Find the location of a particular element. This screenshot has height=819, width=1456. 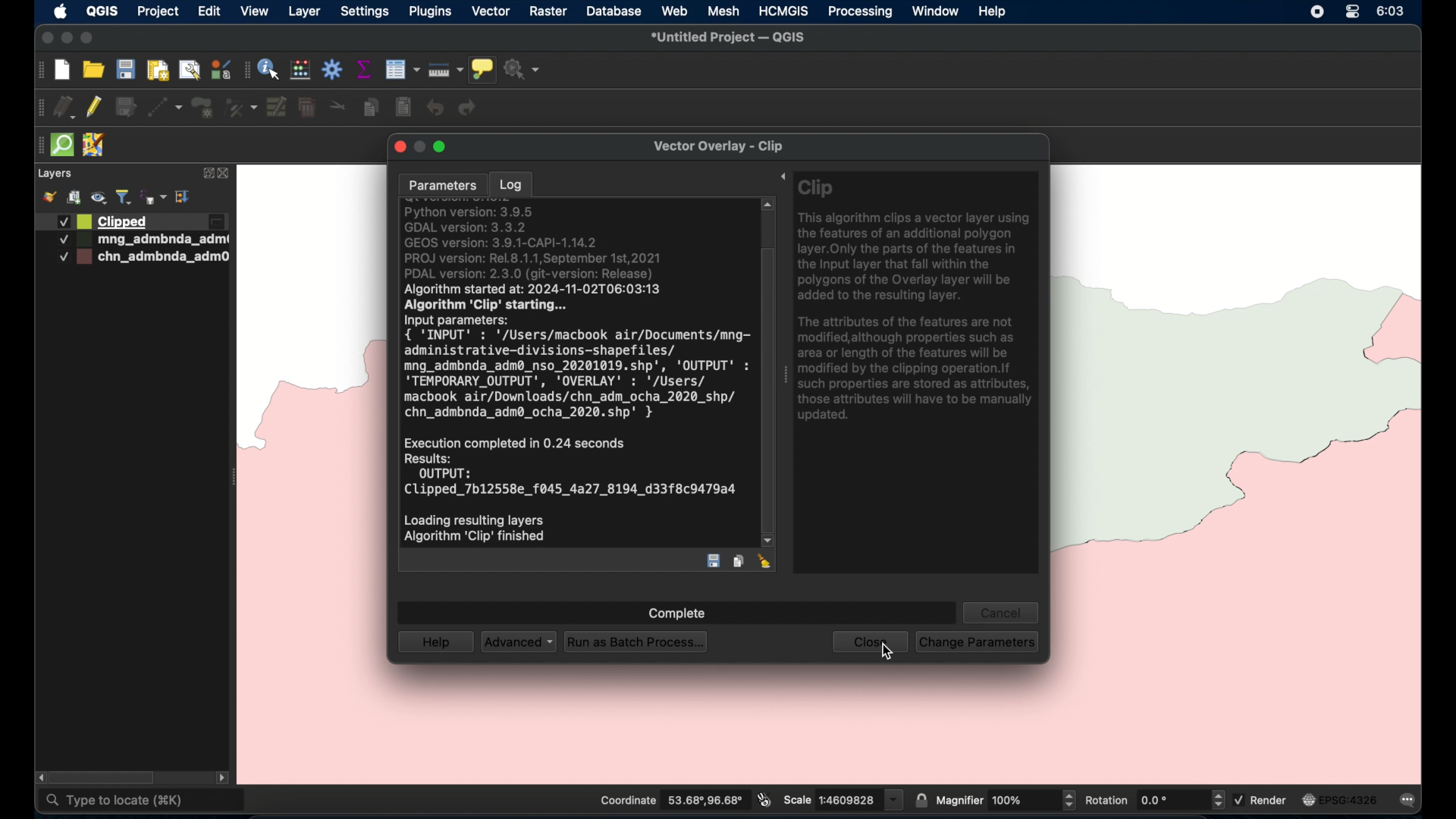

print layout is located at coordinates (157, 71).